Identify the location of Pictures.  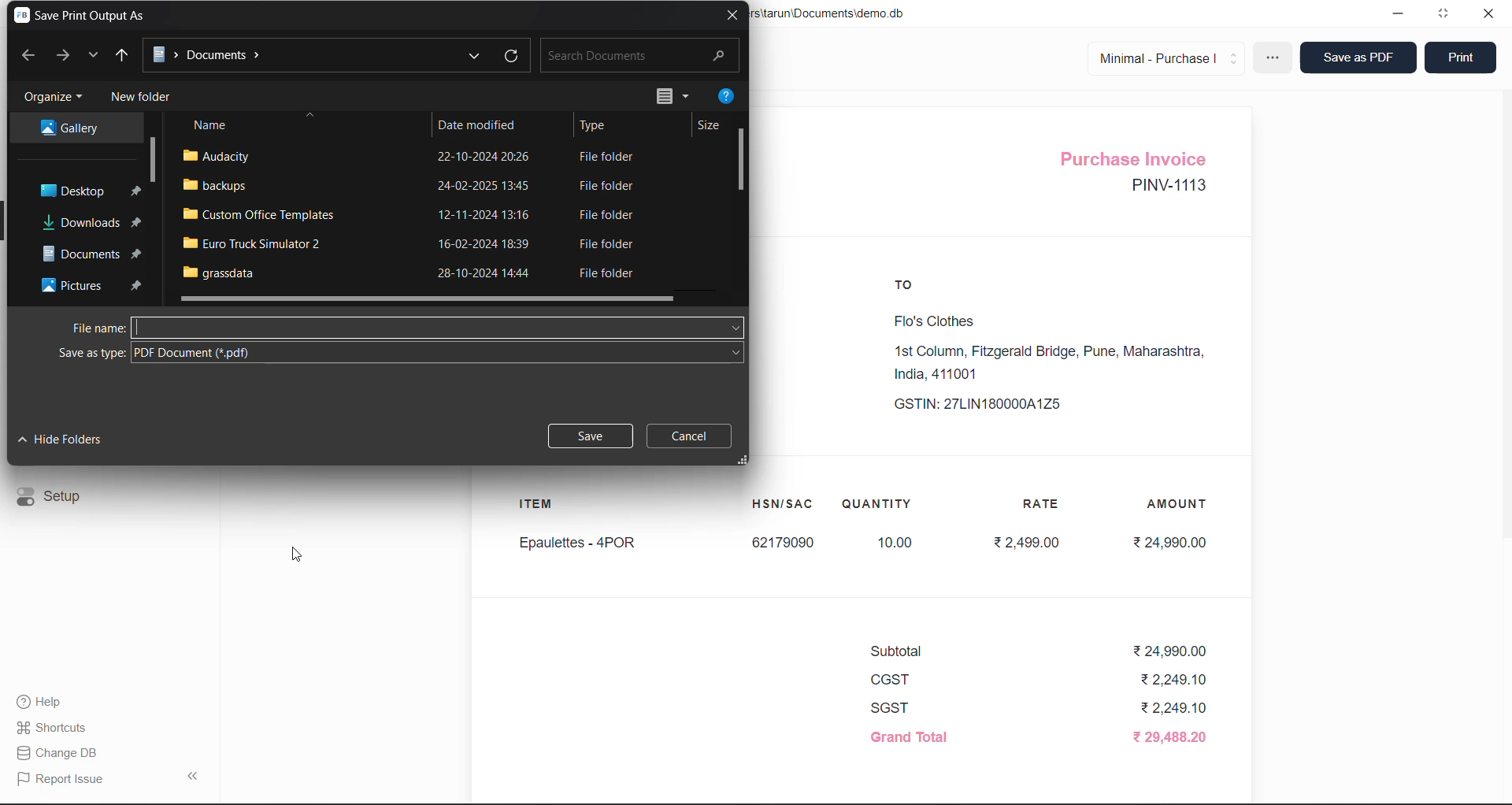
(92, 284).